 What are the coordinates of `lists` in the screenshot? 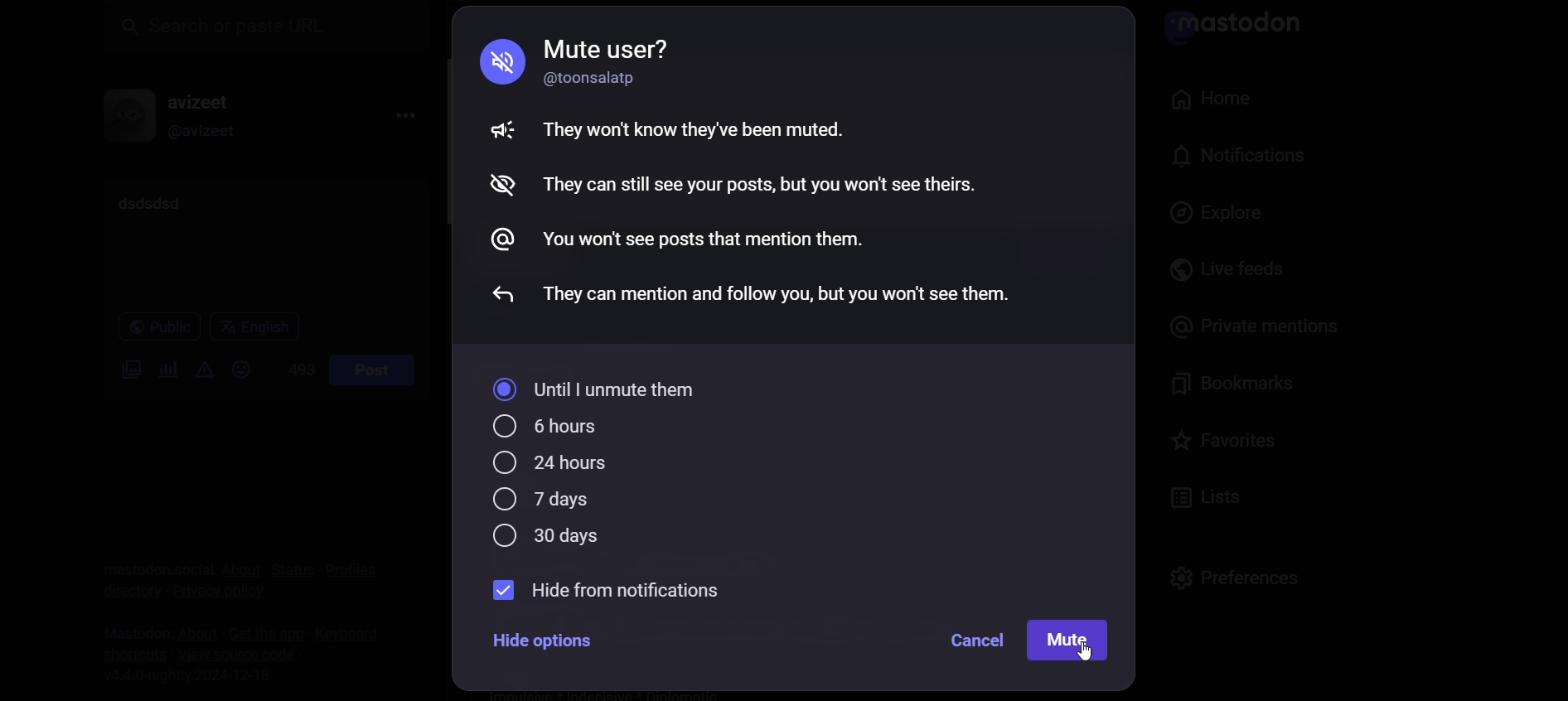 It's located at (1212, 496).